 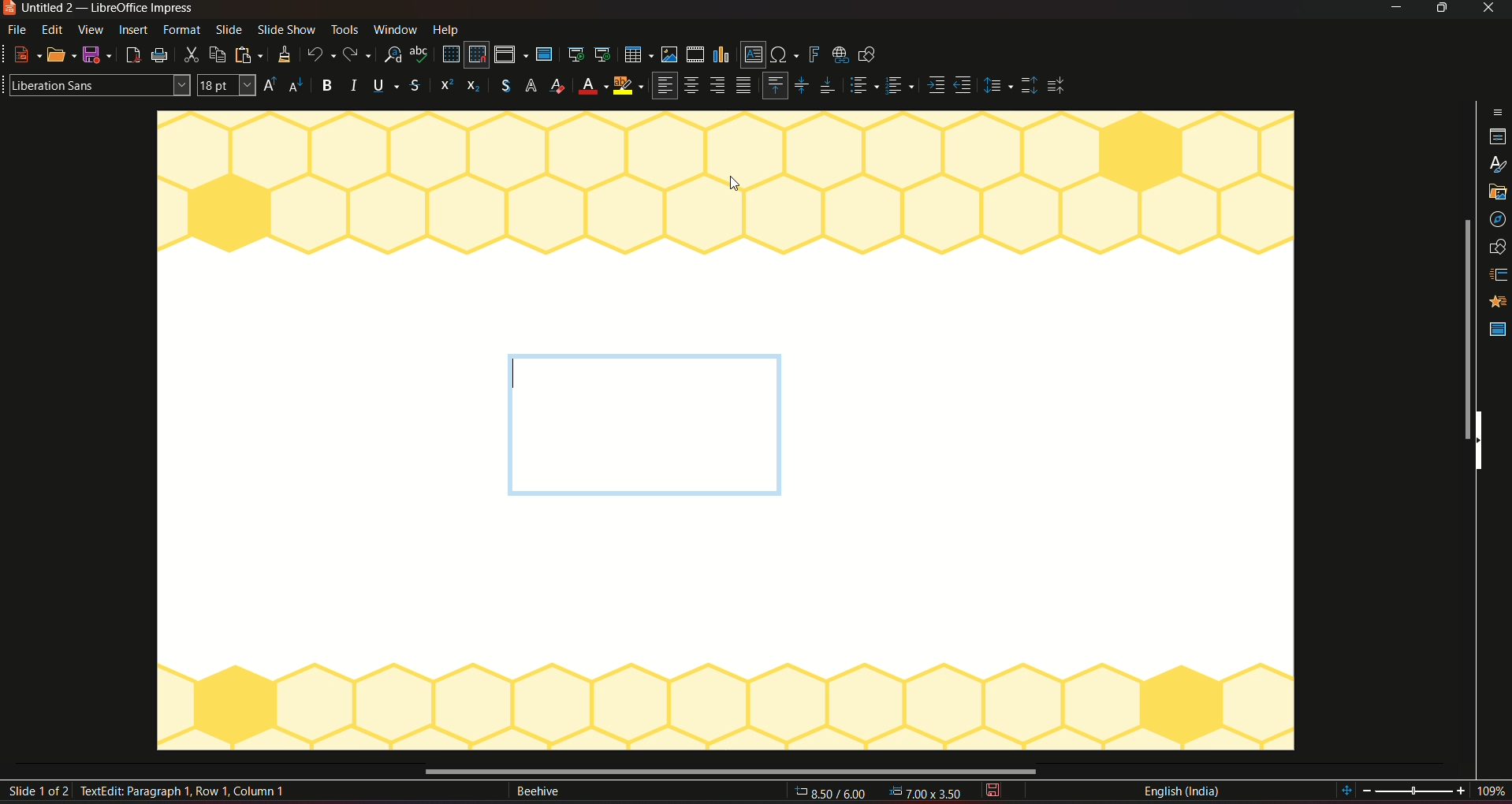 What do you see at coordinates (1497, 270) in the screenshot?
I see `animation` at bounding box center [1497, 270].